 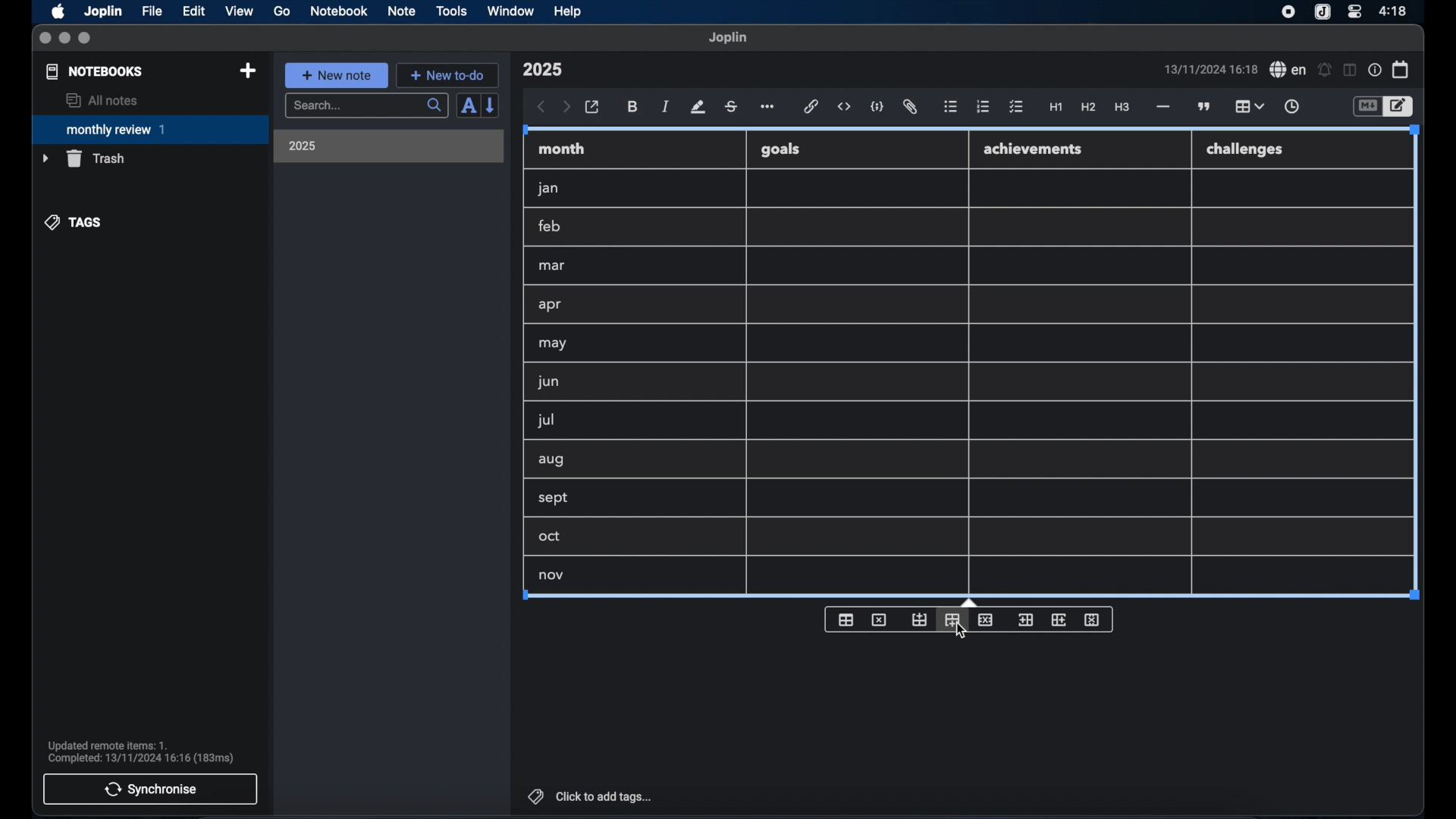 I want to click on goals, so click(x=780, y=149).